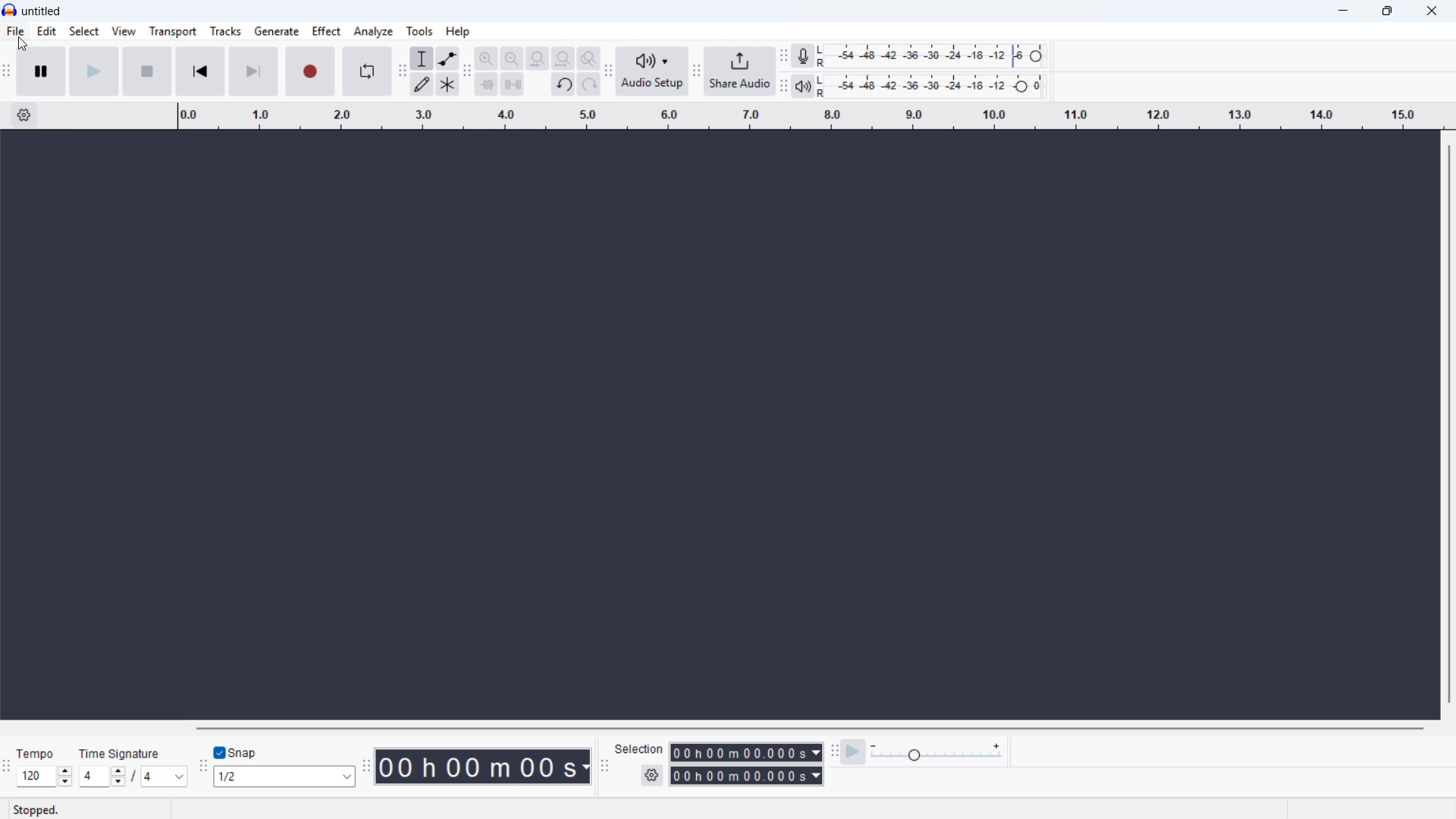  I want to click on Selection tool , so click(422, 58).